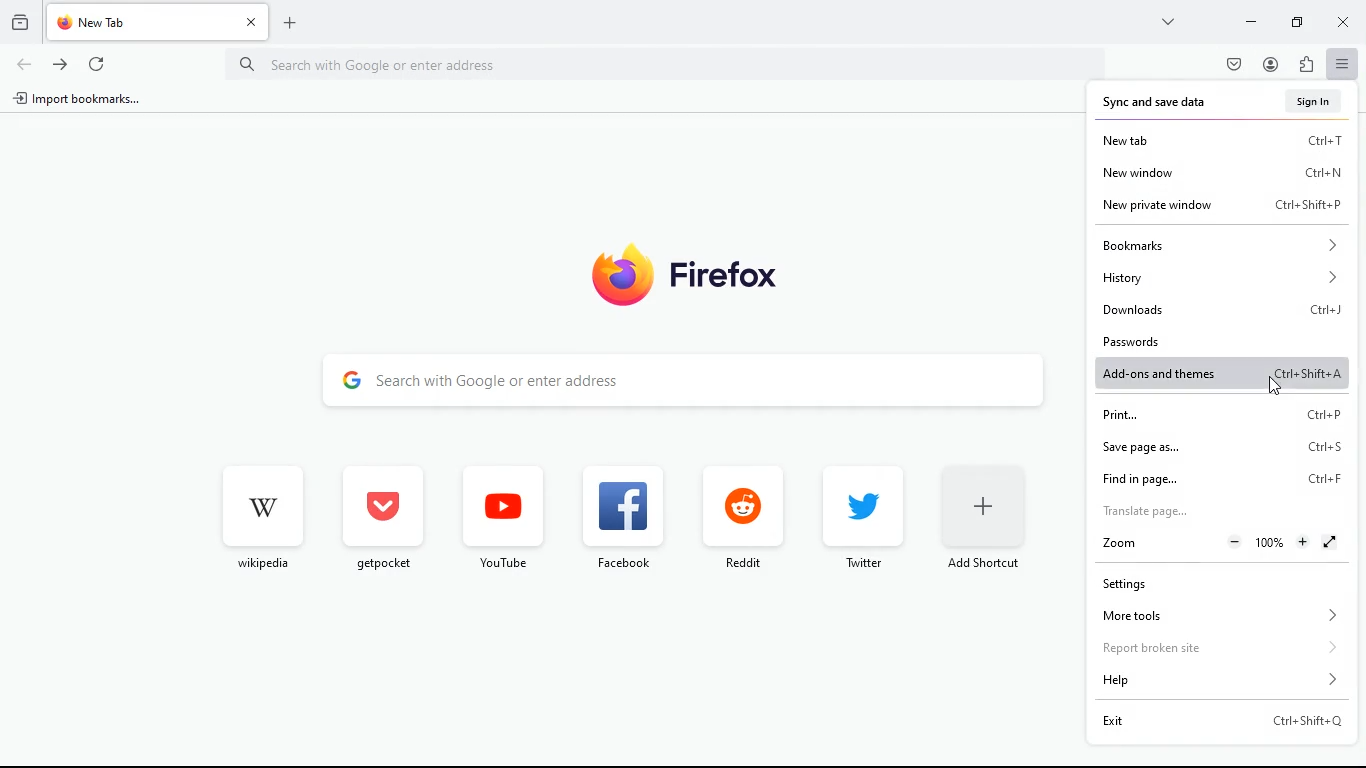 Image resolution: width=1366 pixels, height=768 pixels. I want to click on translate page, so click(1212, 508).